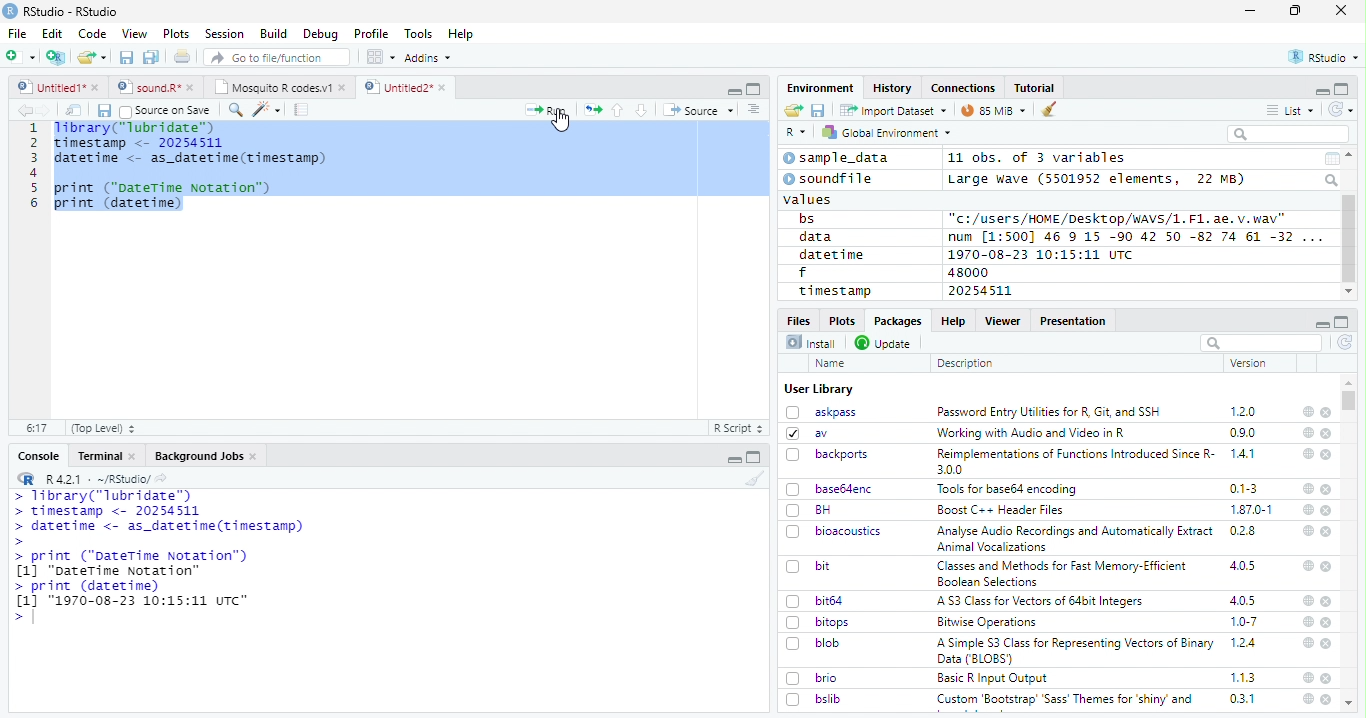 The height and width of the screenshot is (718, 1366). I want to click on 1.87.0-1, so click(1251, 510).